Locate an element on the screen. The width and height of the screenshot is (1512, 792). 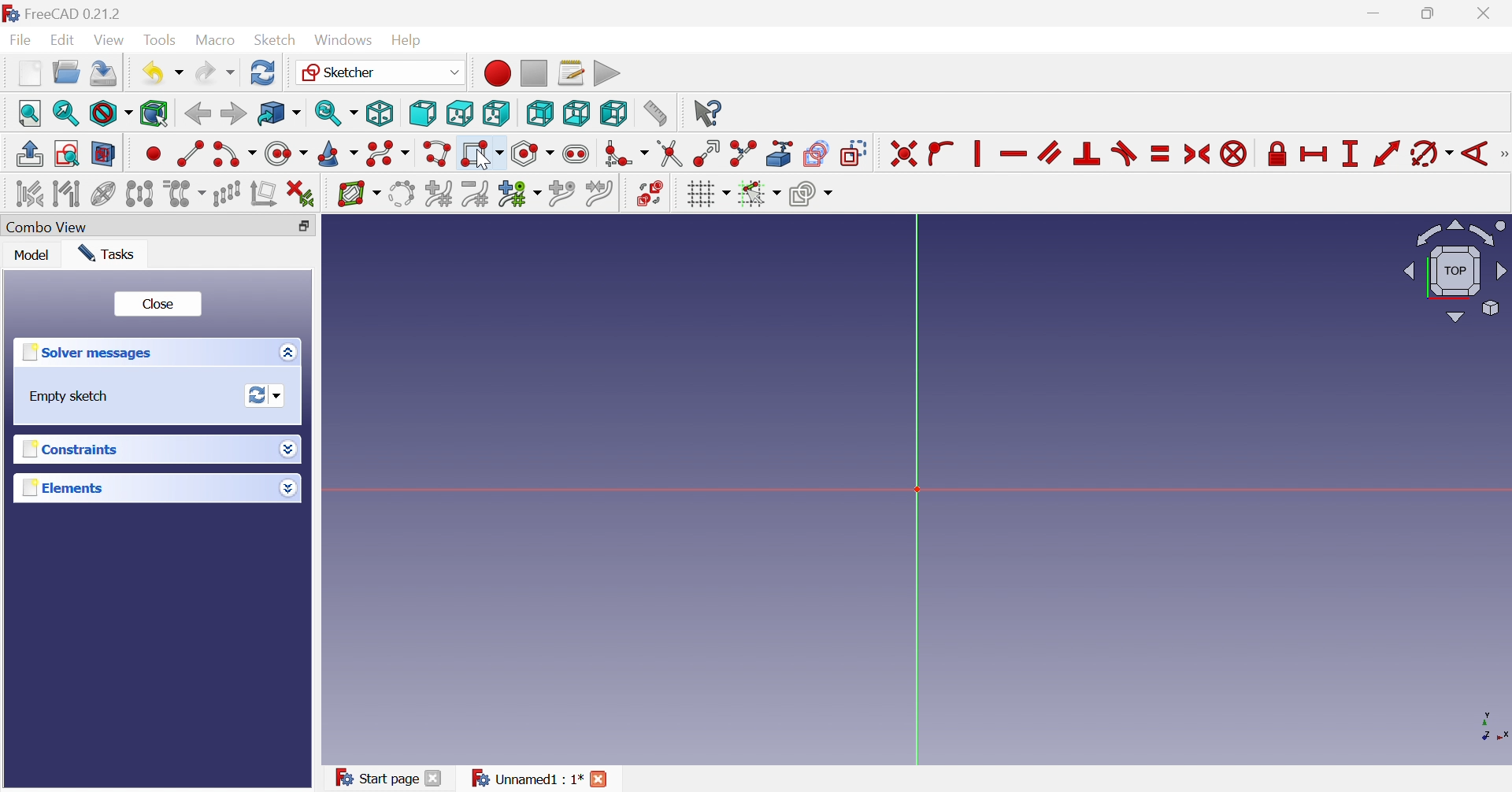
View is located at coordinates (111, 43).